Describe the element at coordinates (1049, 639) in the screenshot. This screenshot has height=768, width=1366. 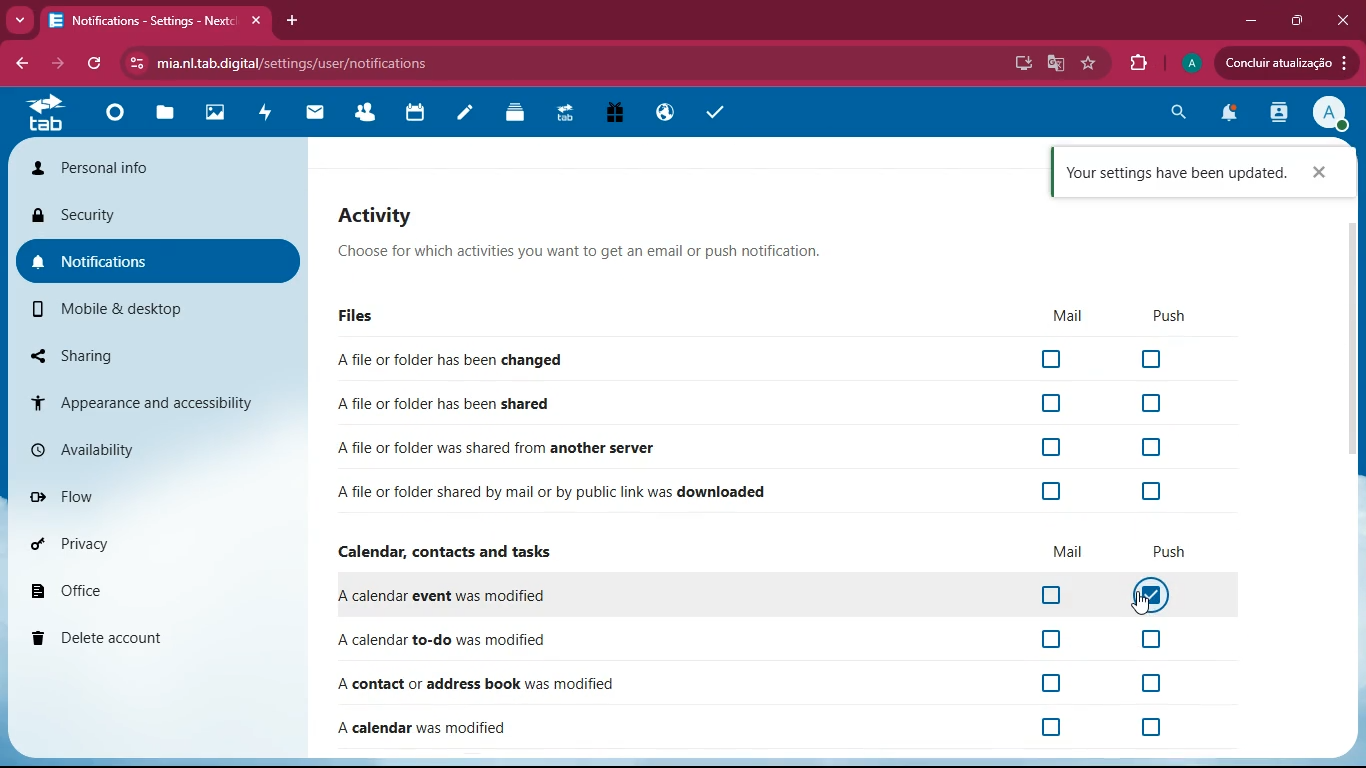
I see `off` at that location.